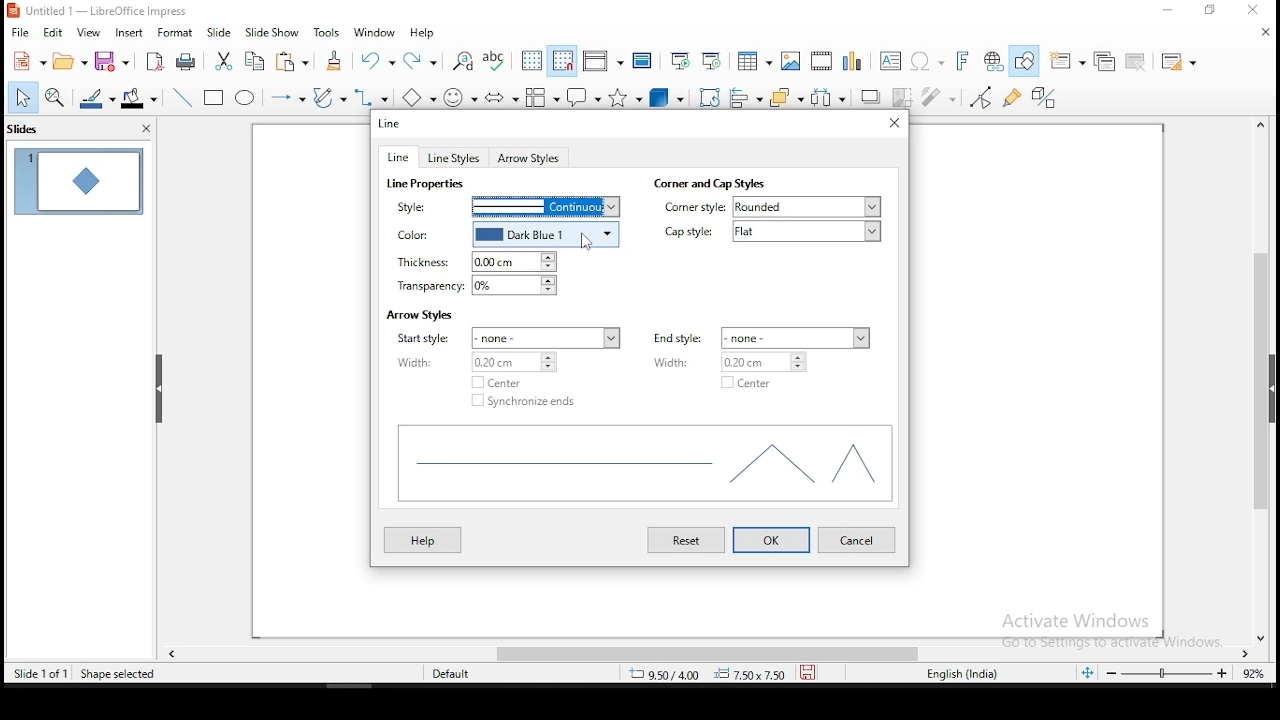  Describe the element at coordinates (811, 231) in the screenshot. I see `flat` at that location.